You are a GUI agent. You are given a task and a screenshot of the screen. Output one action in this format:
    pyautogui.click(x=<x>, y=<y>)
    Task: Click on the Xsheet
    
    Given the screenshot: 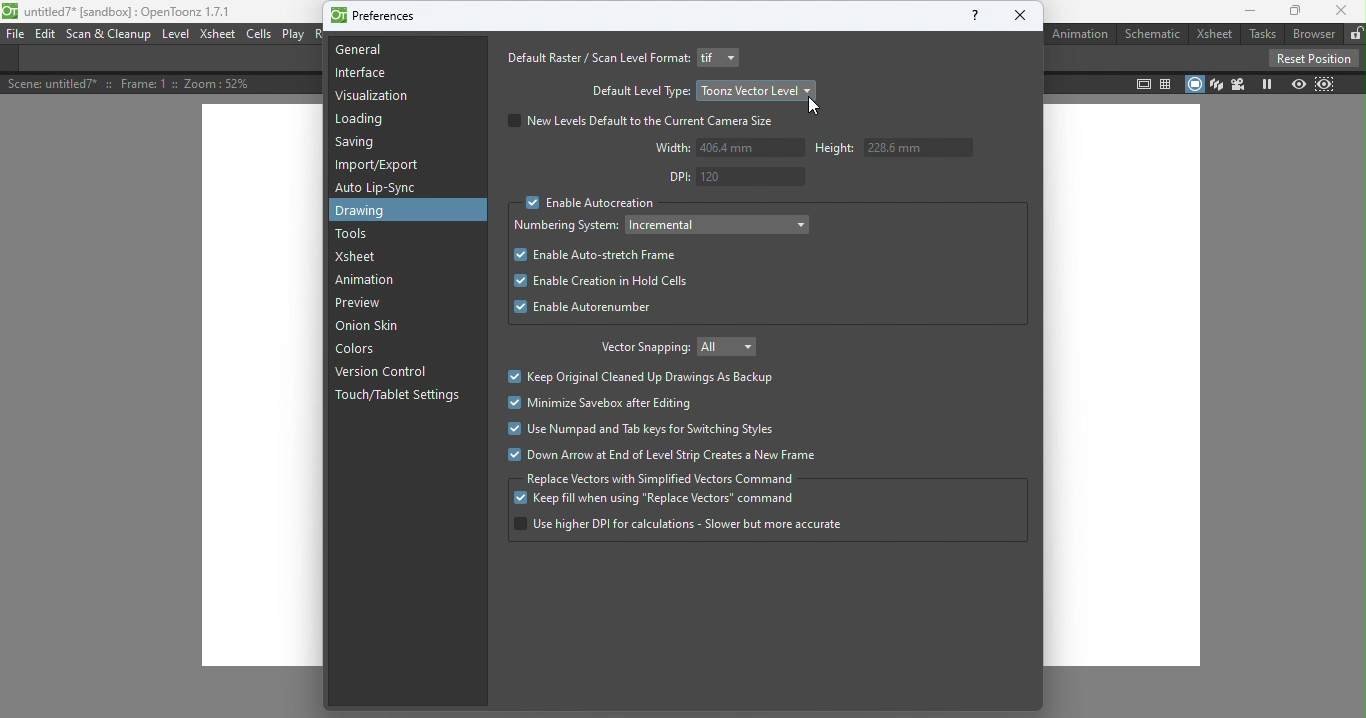 What is the action you would take?
    pyautogui.click(x=216, y=36)
    